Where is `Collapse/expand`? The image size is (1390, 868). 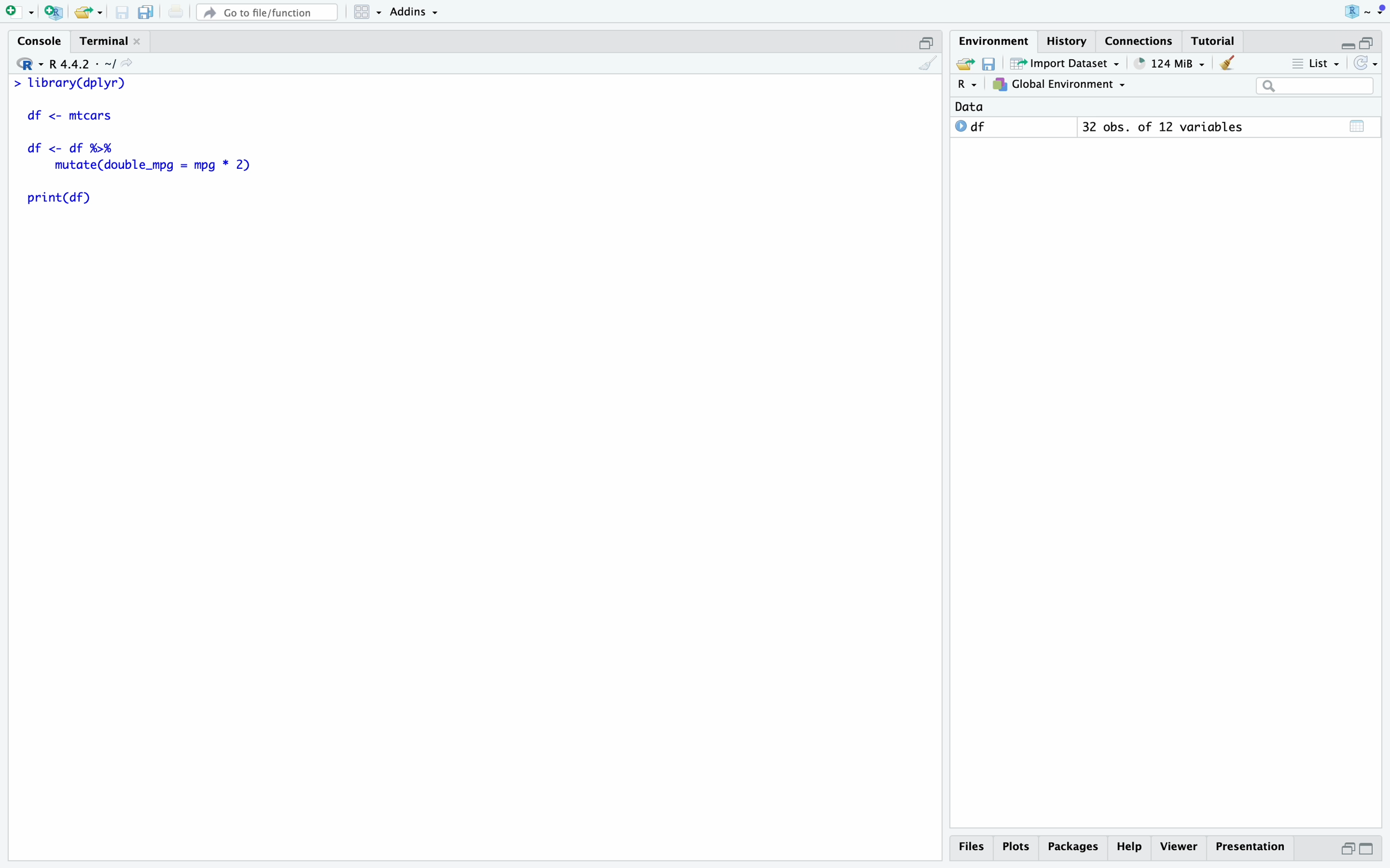 Collapse/expand is located at coordinates (1346, 46).